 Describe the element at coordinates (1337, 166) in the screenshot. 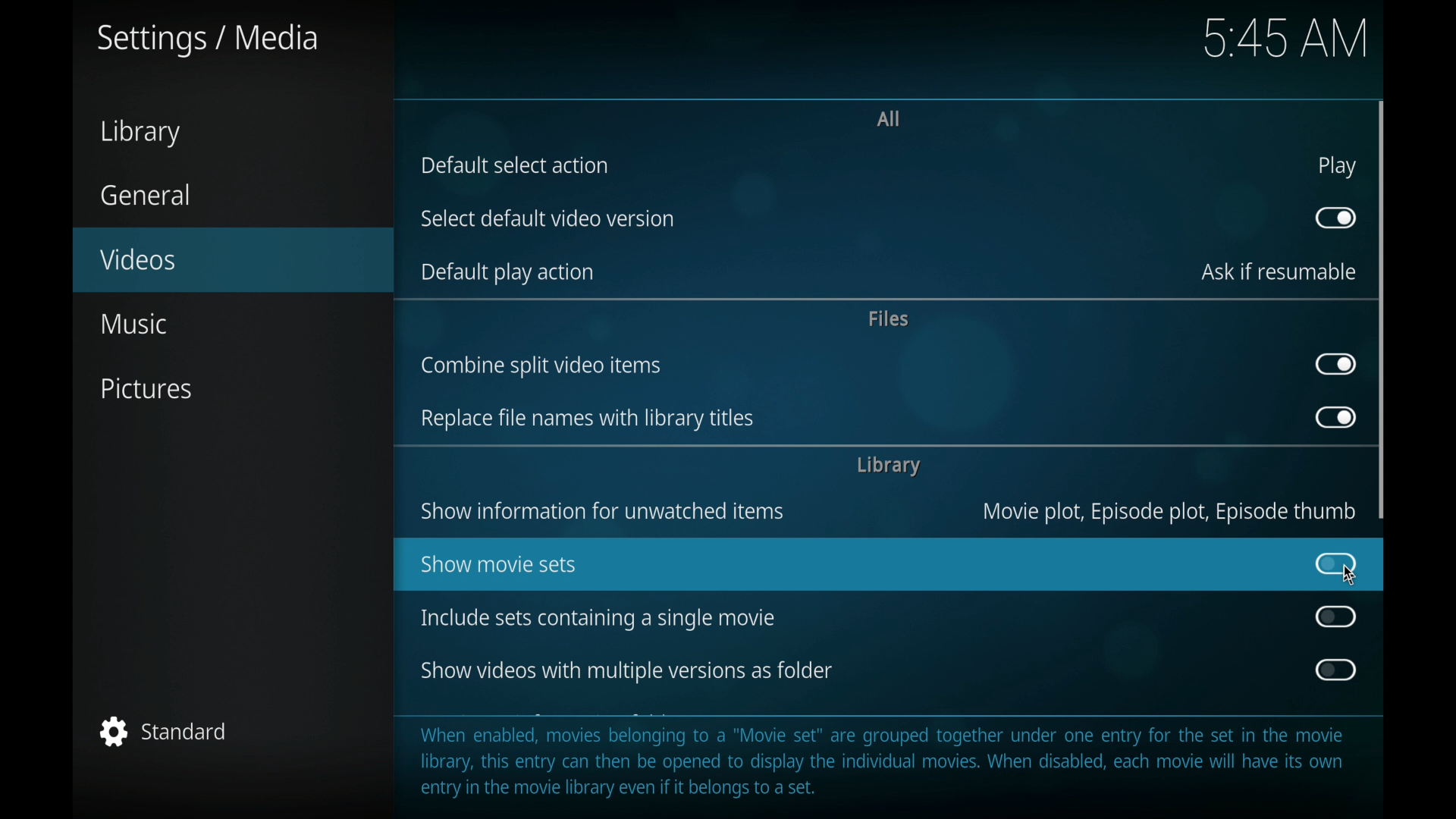

I see `play` at that location.